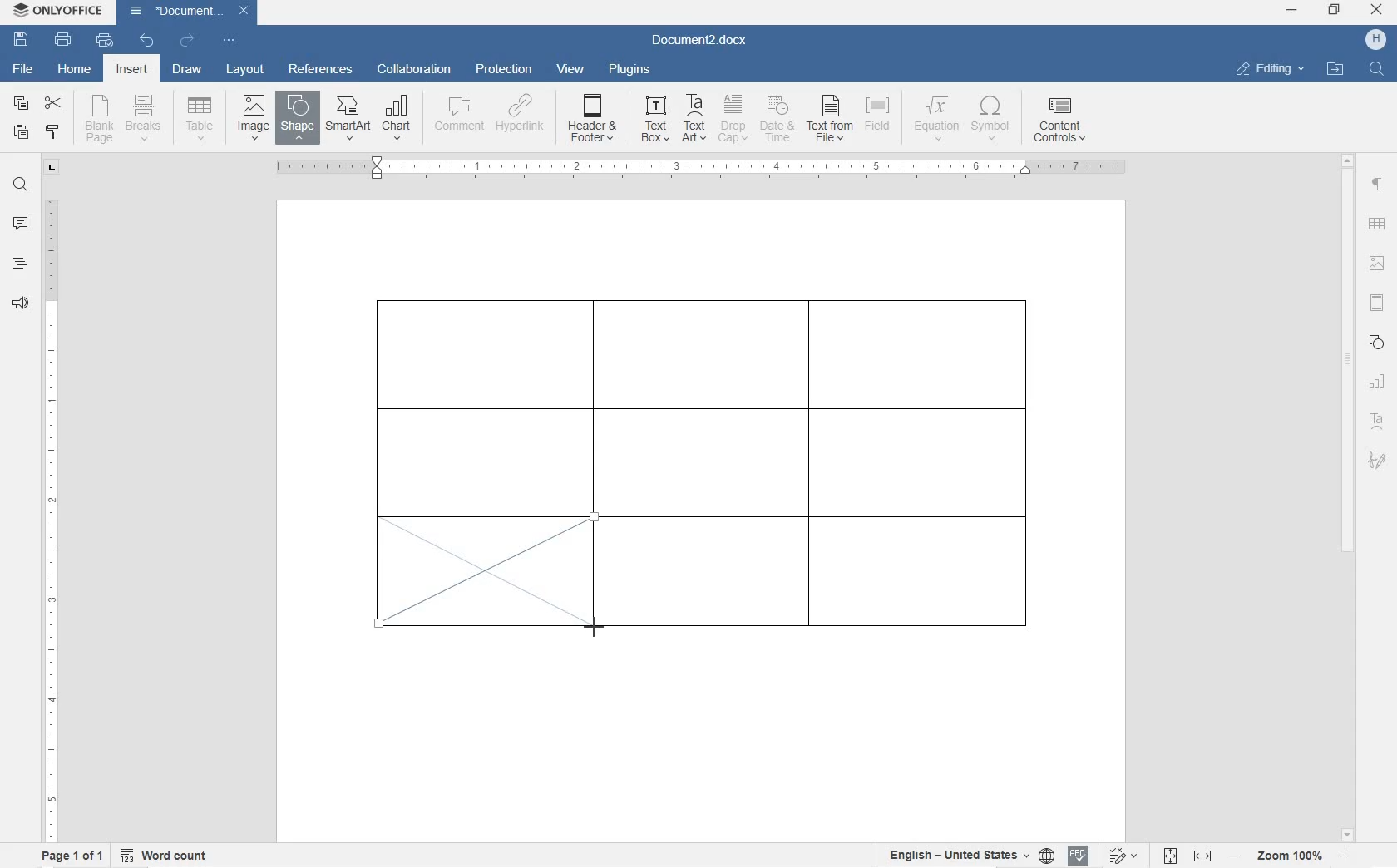 The width and height of the screenshot is (1397, 868). I want to click on copy style, so click(53, 132).